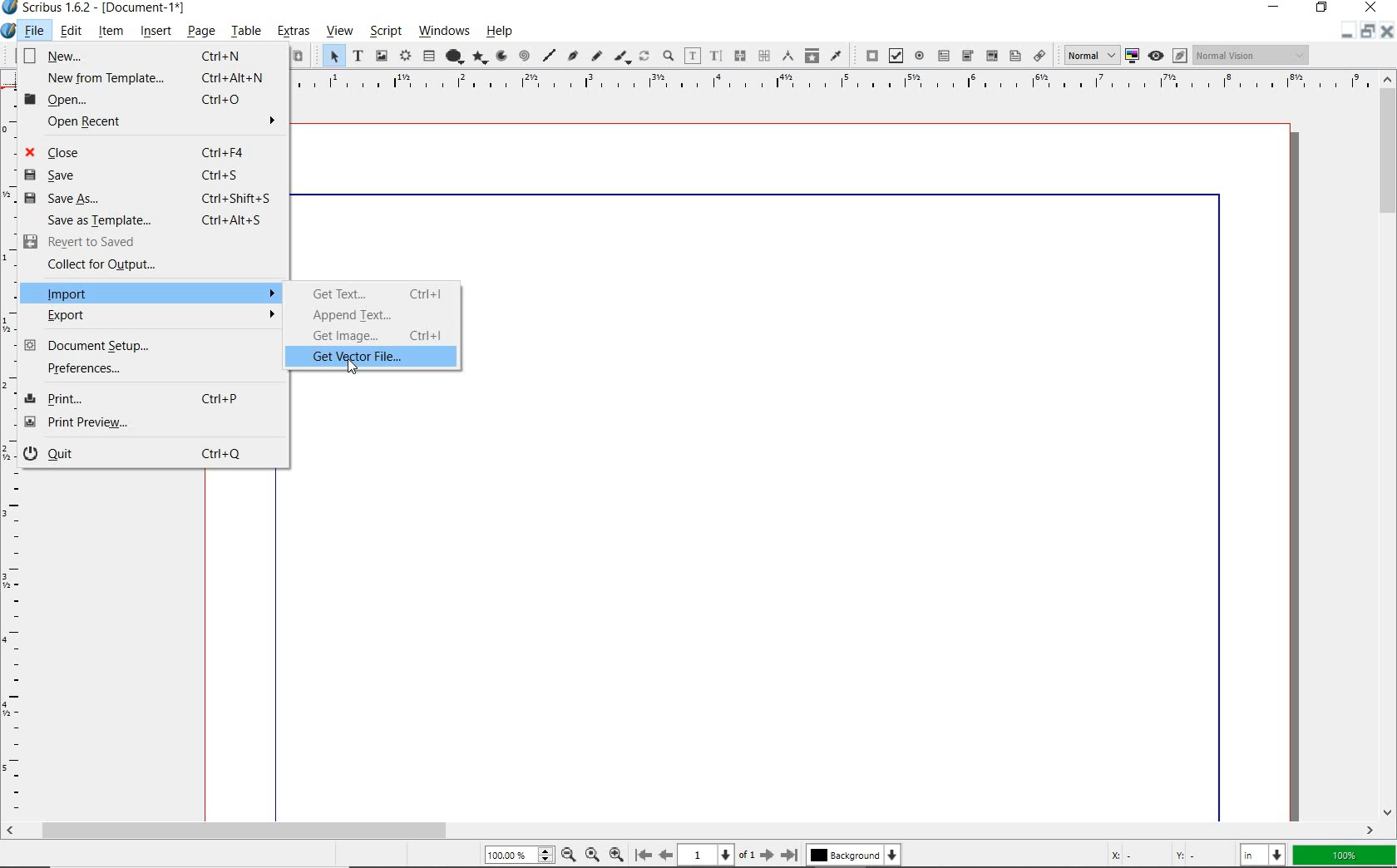 Image resolution: width=1397 pixels, height=868 pixels. I want to click on pdf combo box, so click(967, 56).